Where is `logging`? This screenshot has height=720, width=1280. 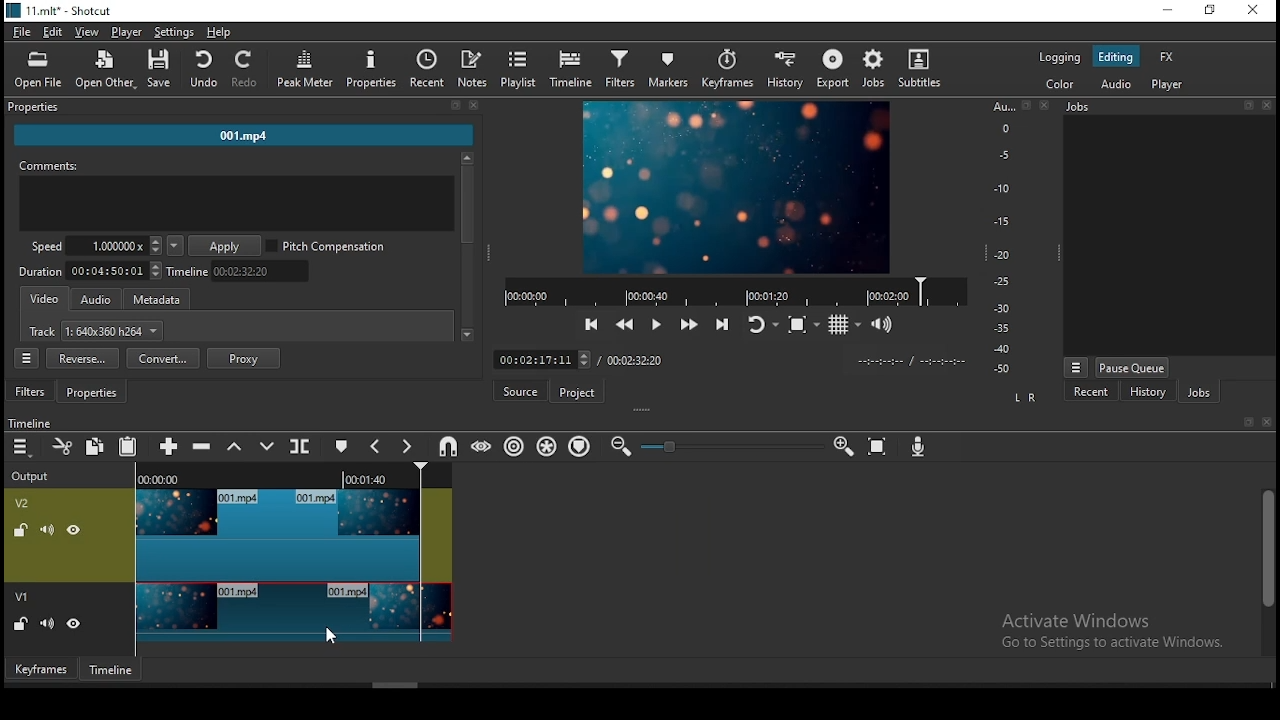 logging is located at coordinates (1060, 56).